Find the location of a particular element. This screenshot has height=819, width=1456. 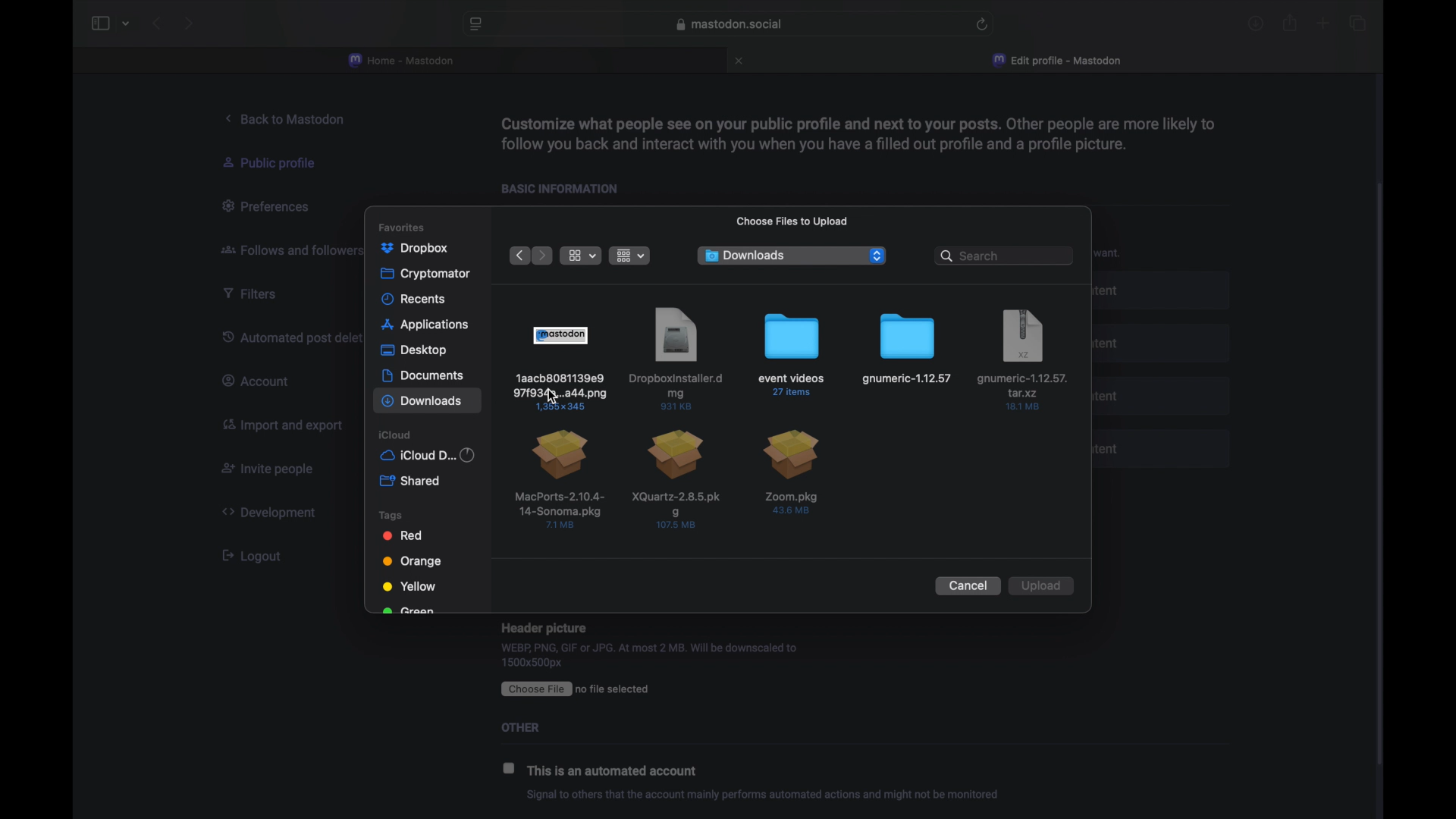

this is an automated account is located at coordinates (617, 772).